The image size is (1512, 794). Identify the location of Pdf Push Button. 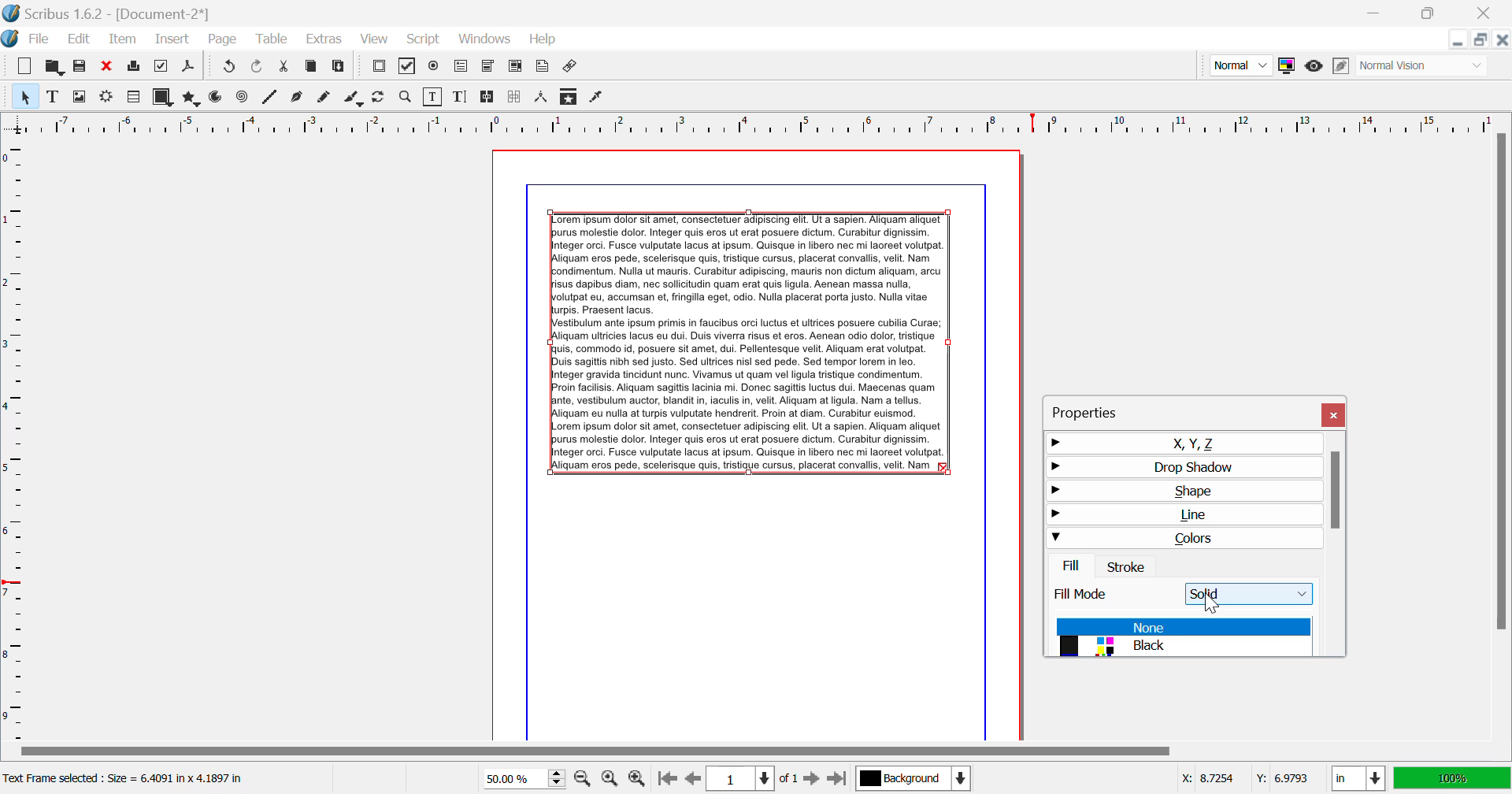
(379, 68).